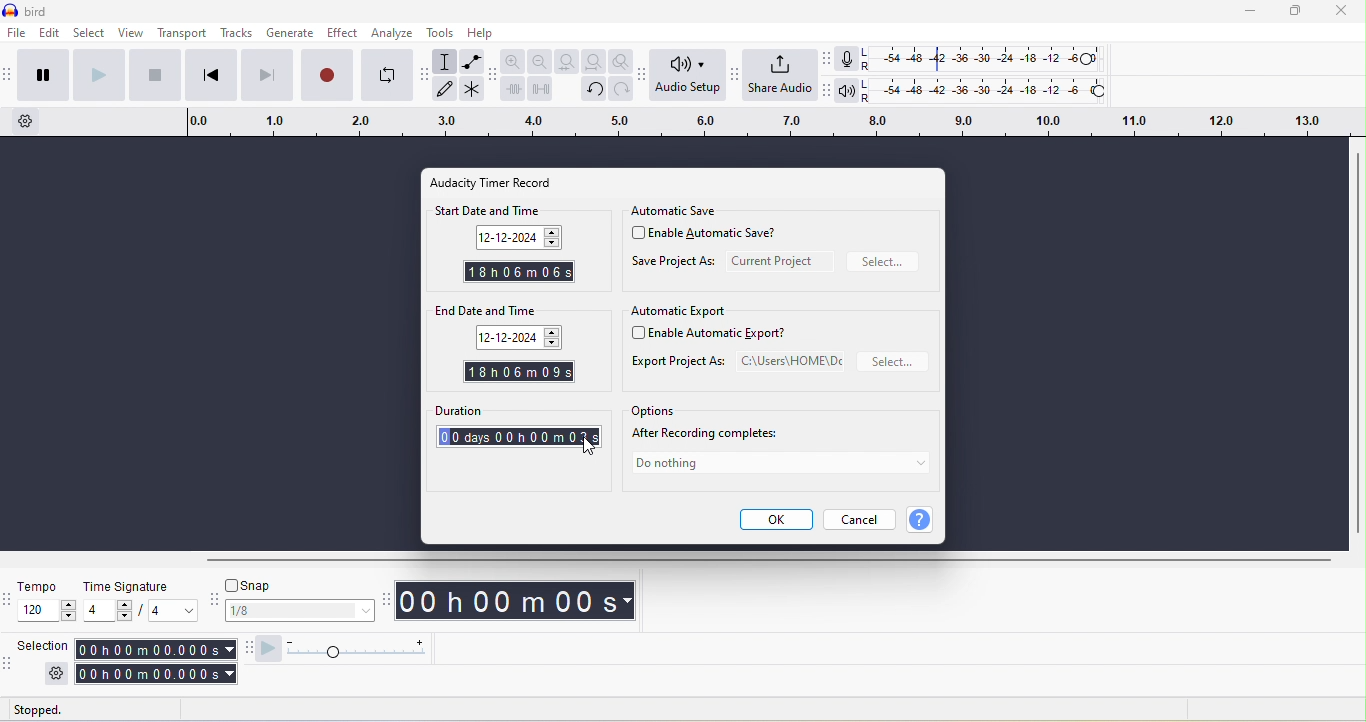 The image size is (1366, 722). Describe the element at coordinates (154, 78) in the screenshot. I see `stop` at that location.